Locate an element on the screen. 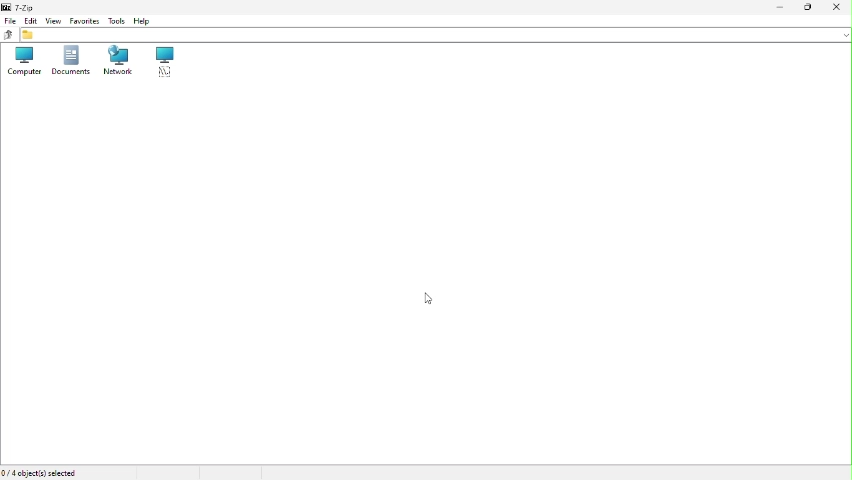  close is located at coordinates (838, 7).